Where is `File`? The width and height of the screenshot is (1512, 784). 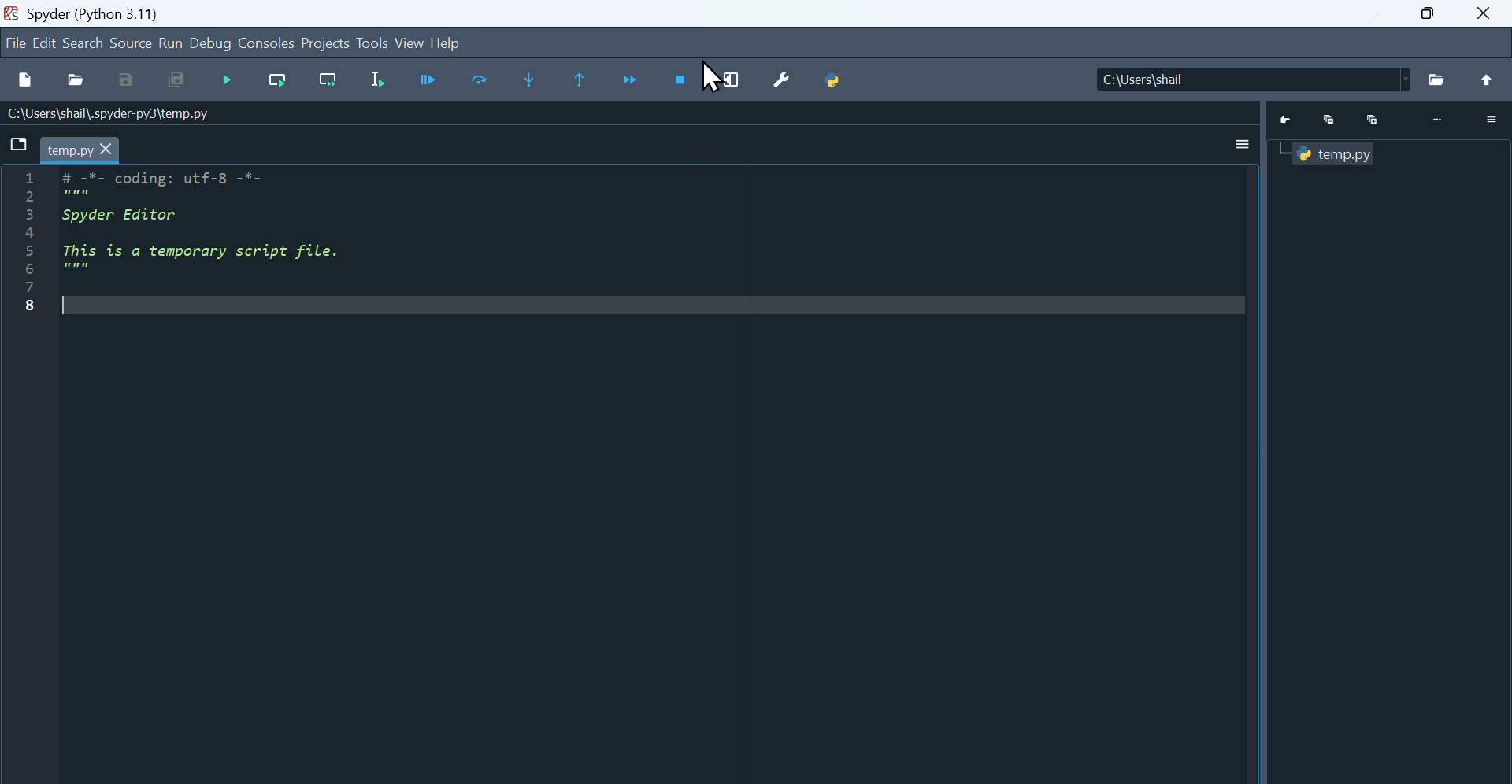 File is located at coordinates (15, 44).